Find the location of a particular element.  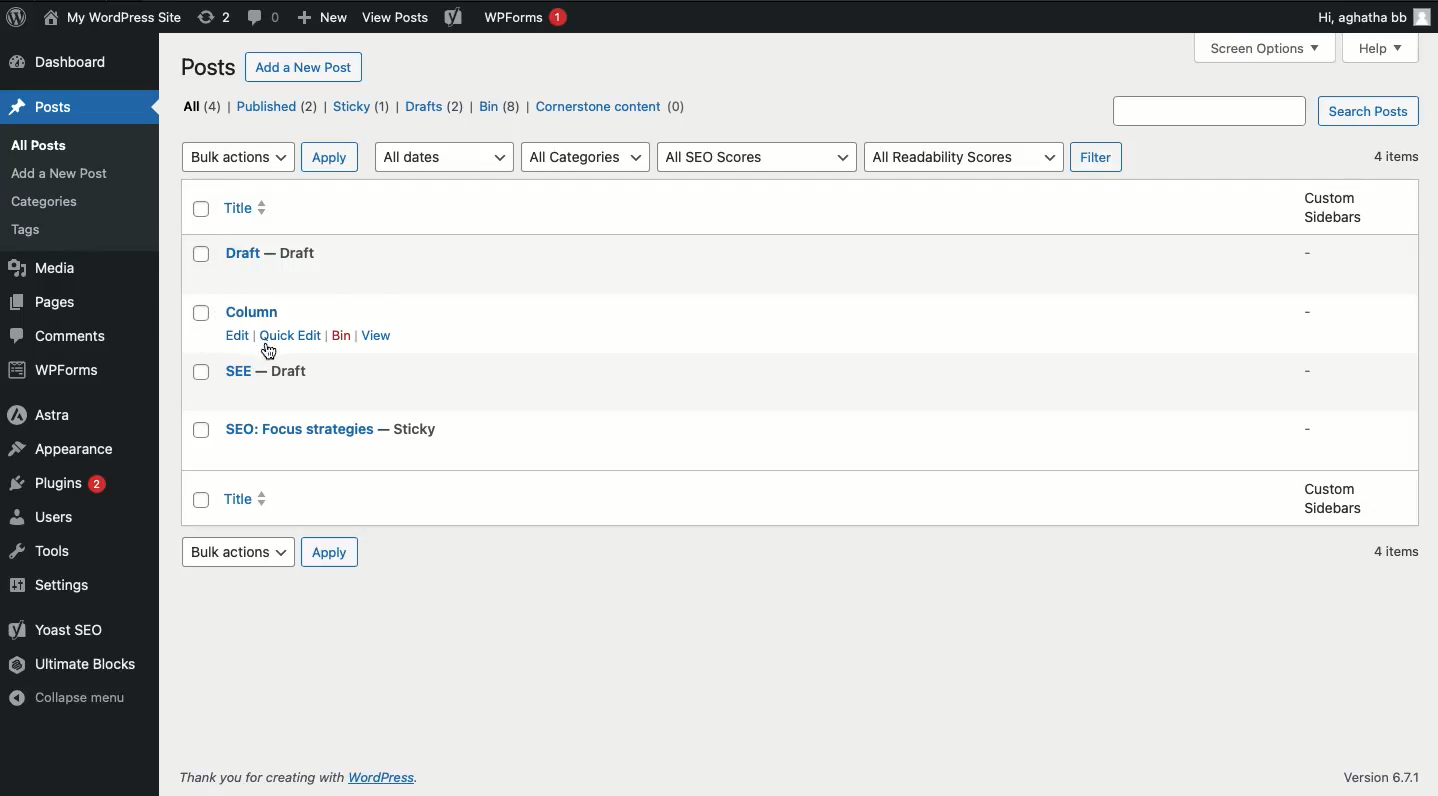

checkbox is located at coordinates (200, 255).